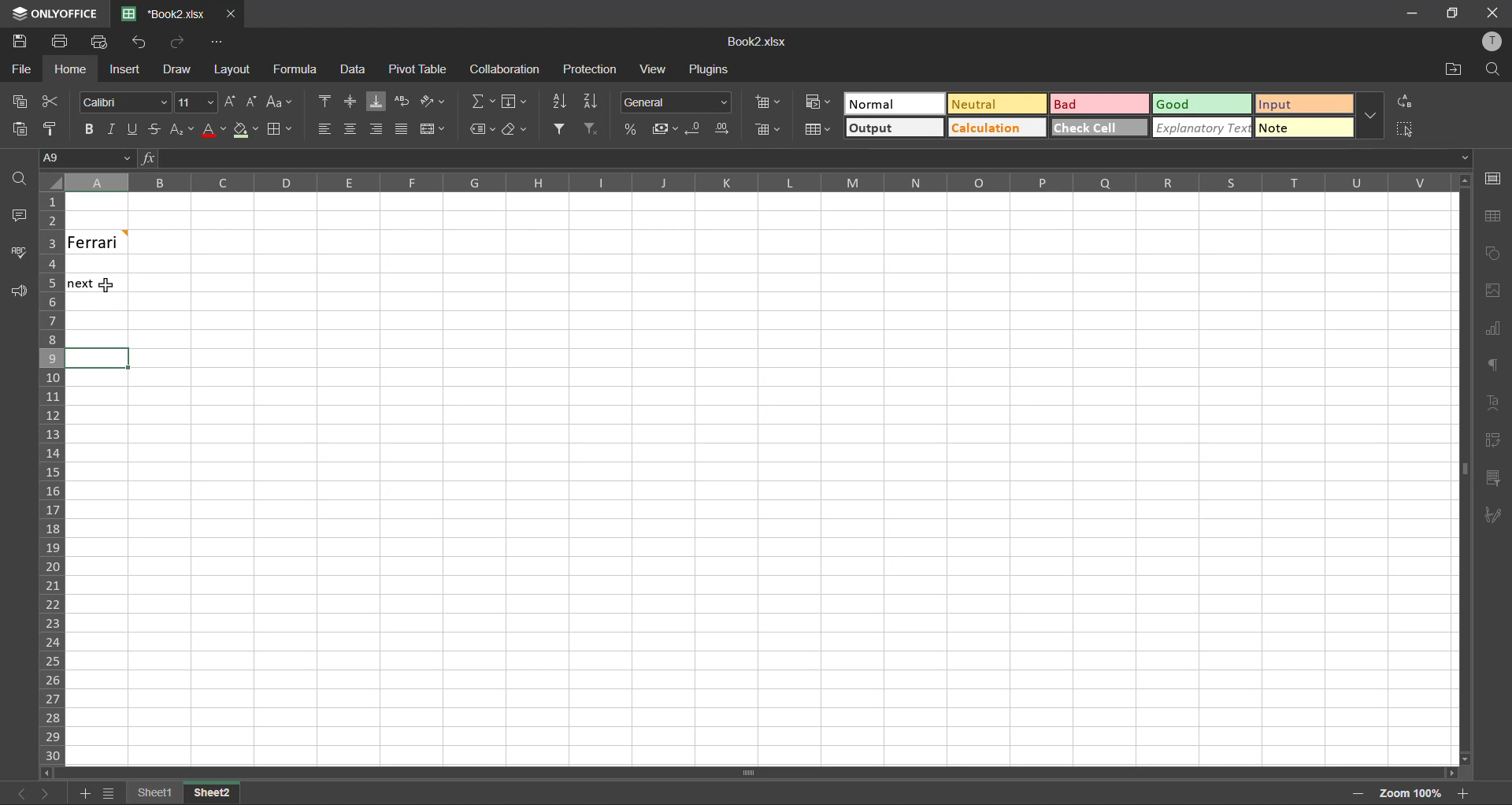 This screenshot has width=1512, height=805. I want to click on clear, so click(516, 131).